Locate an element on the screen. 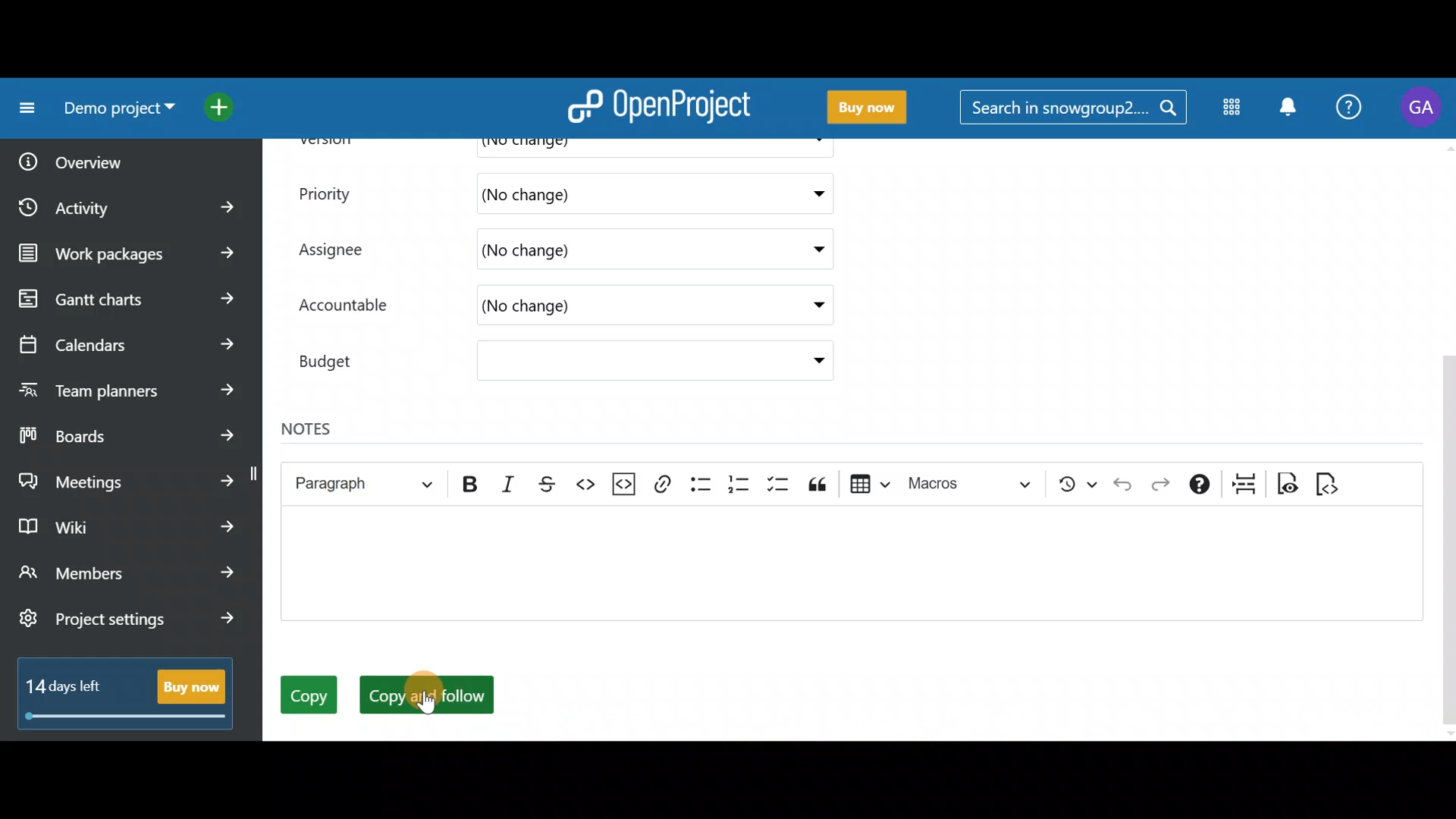  Team planners is located at coordinates (124, 385).